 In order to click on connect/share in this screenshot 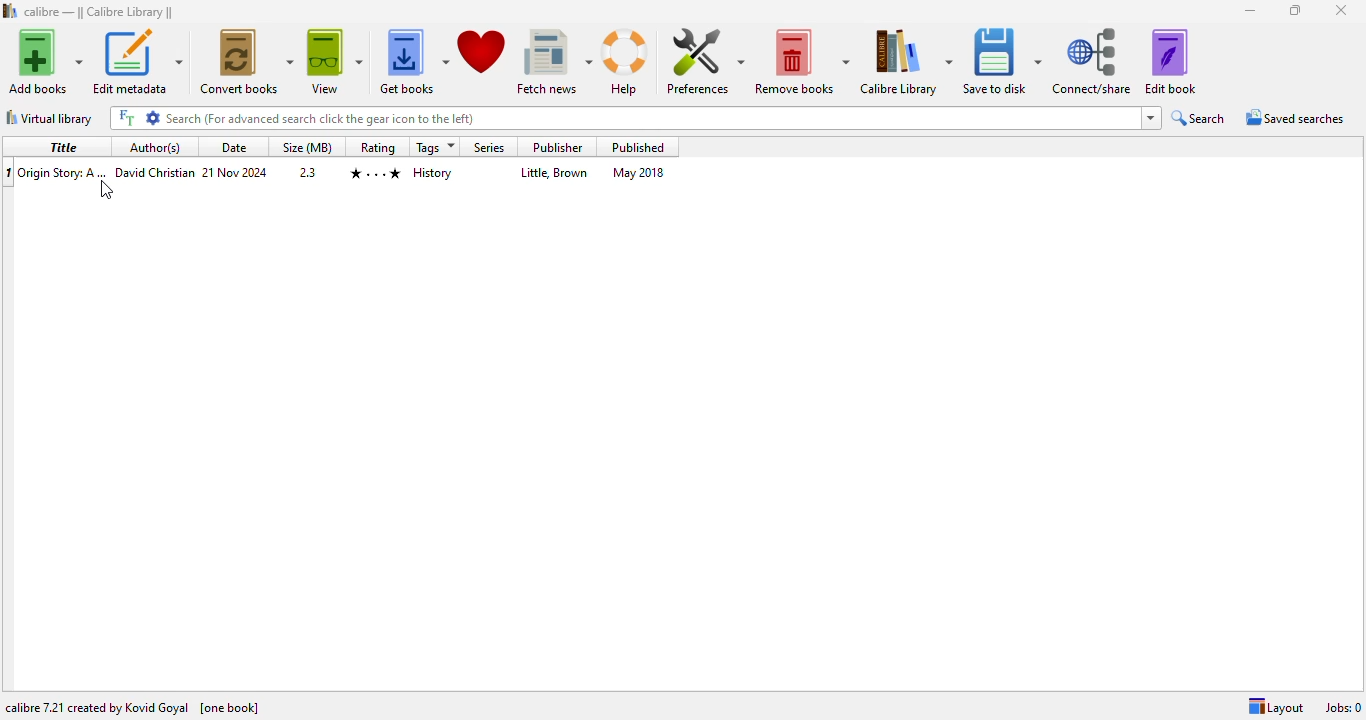, I will do `click(1092, 60)`.